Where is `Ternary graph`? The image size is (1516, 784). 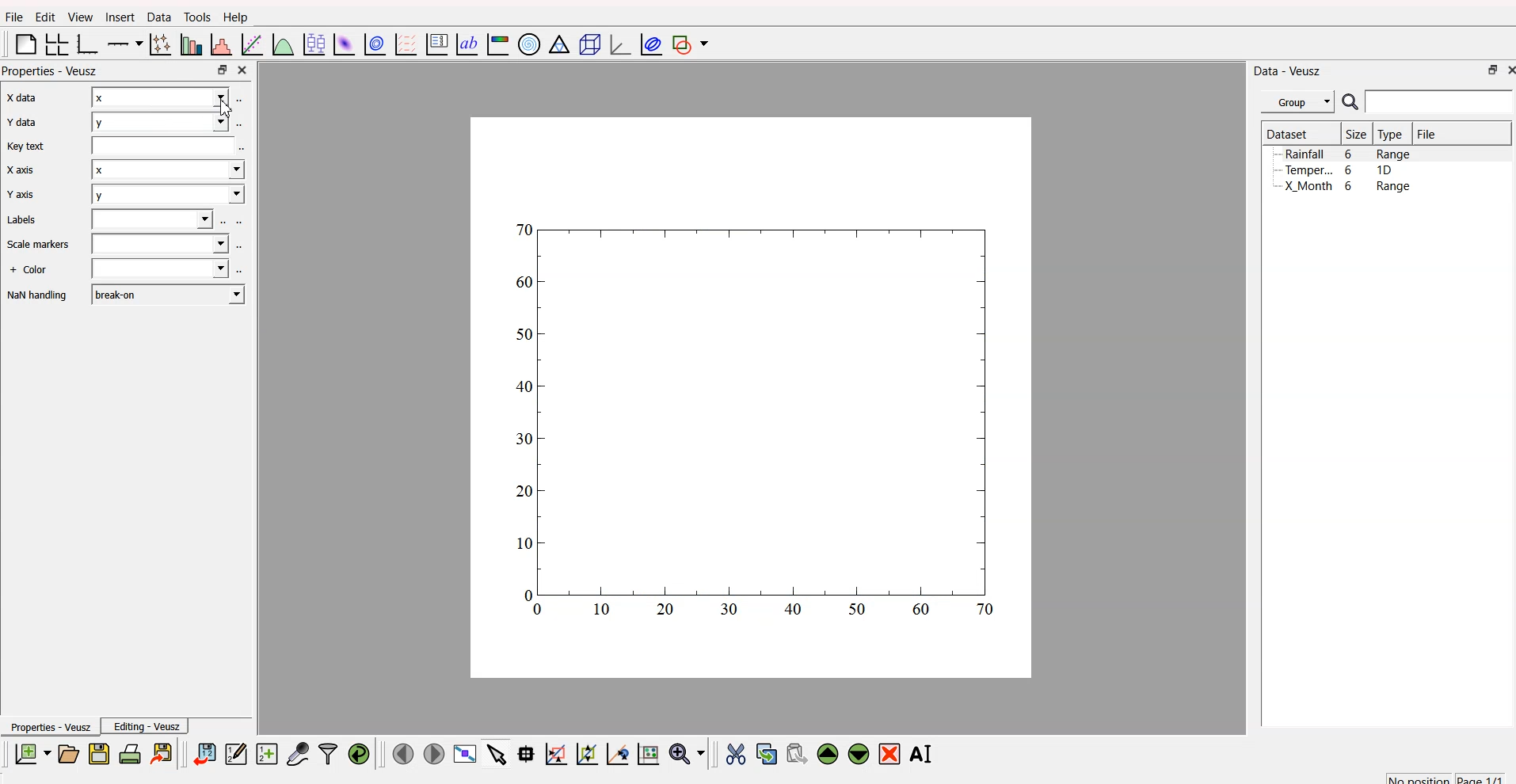 Ternary graph is located at coordinates (556, 45).